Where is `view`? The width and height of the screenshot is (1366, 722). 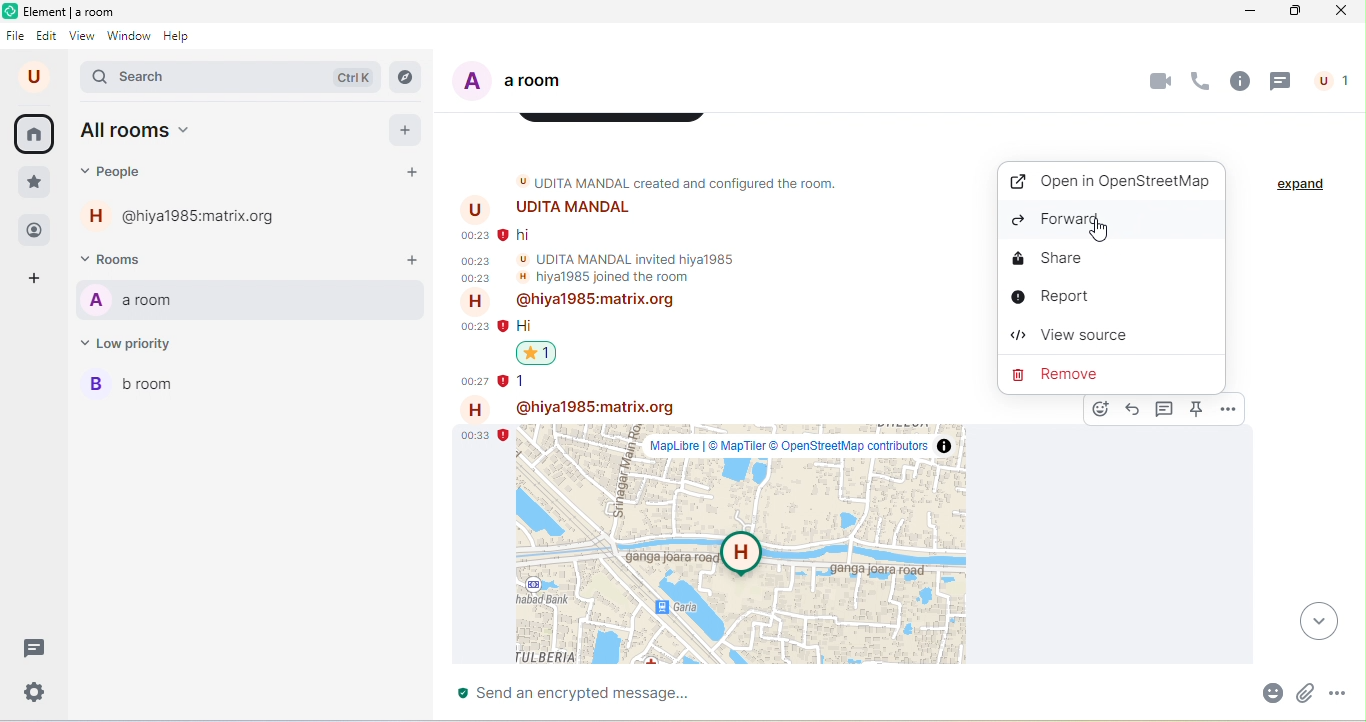
view is located at coordinates (84, 37).